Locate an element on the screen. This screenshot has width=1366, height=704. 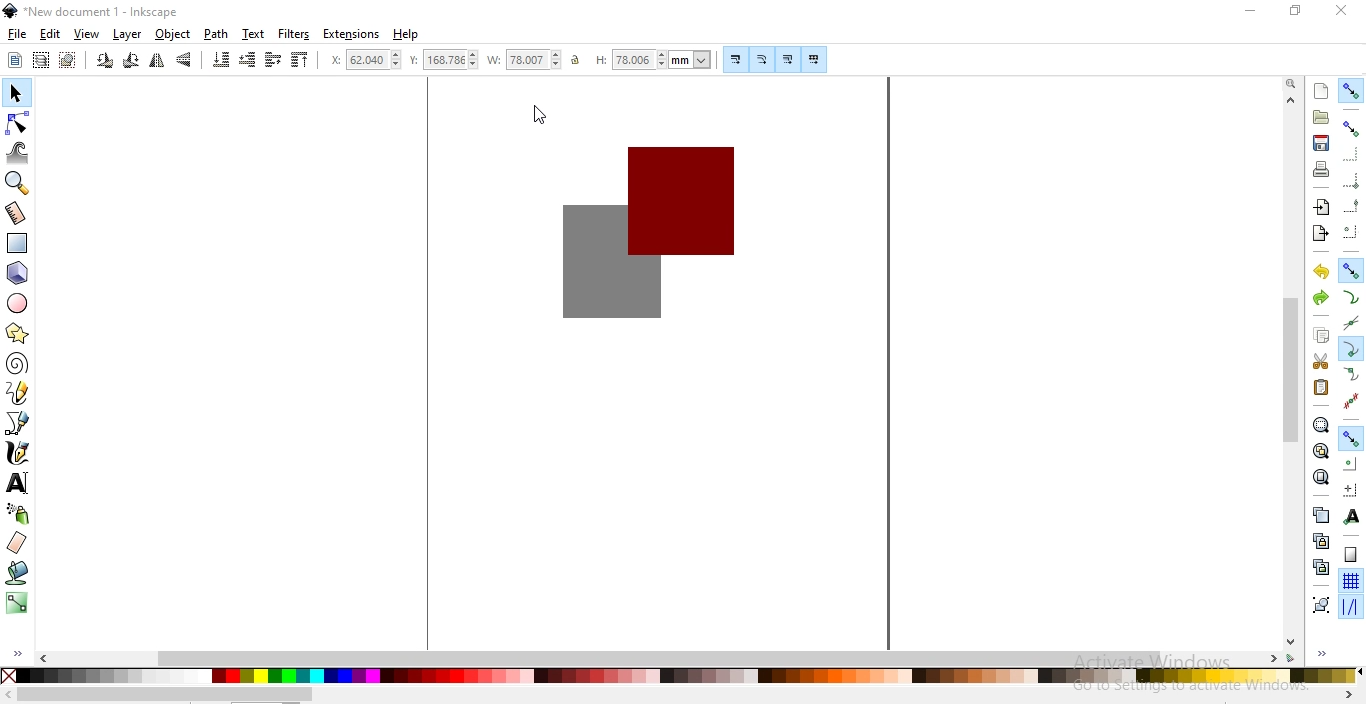
raise selection one step is located at coordinates (272, 59).